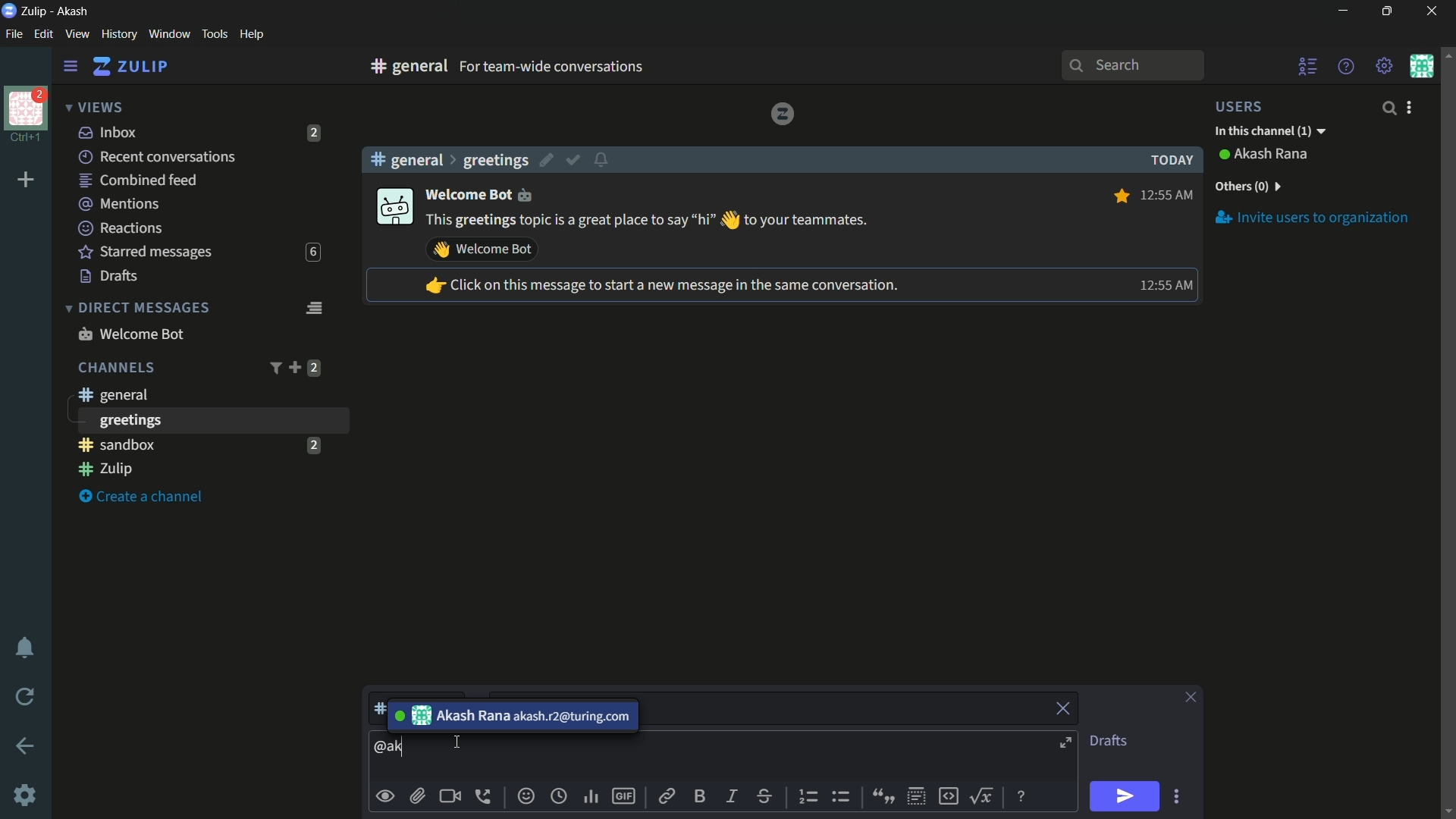 The height and width of the screenshot is (819, 1456). Describe the element at coordinates (984, 795) in the screenshot. I see `maths` at that location.